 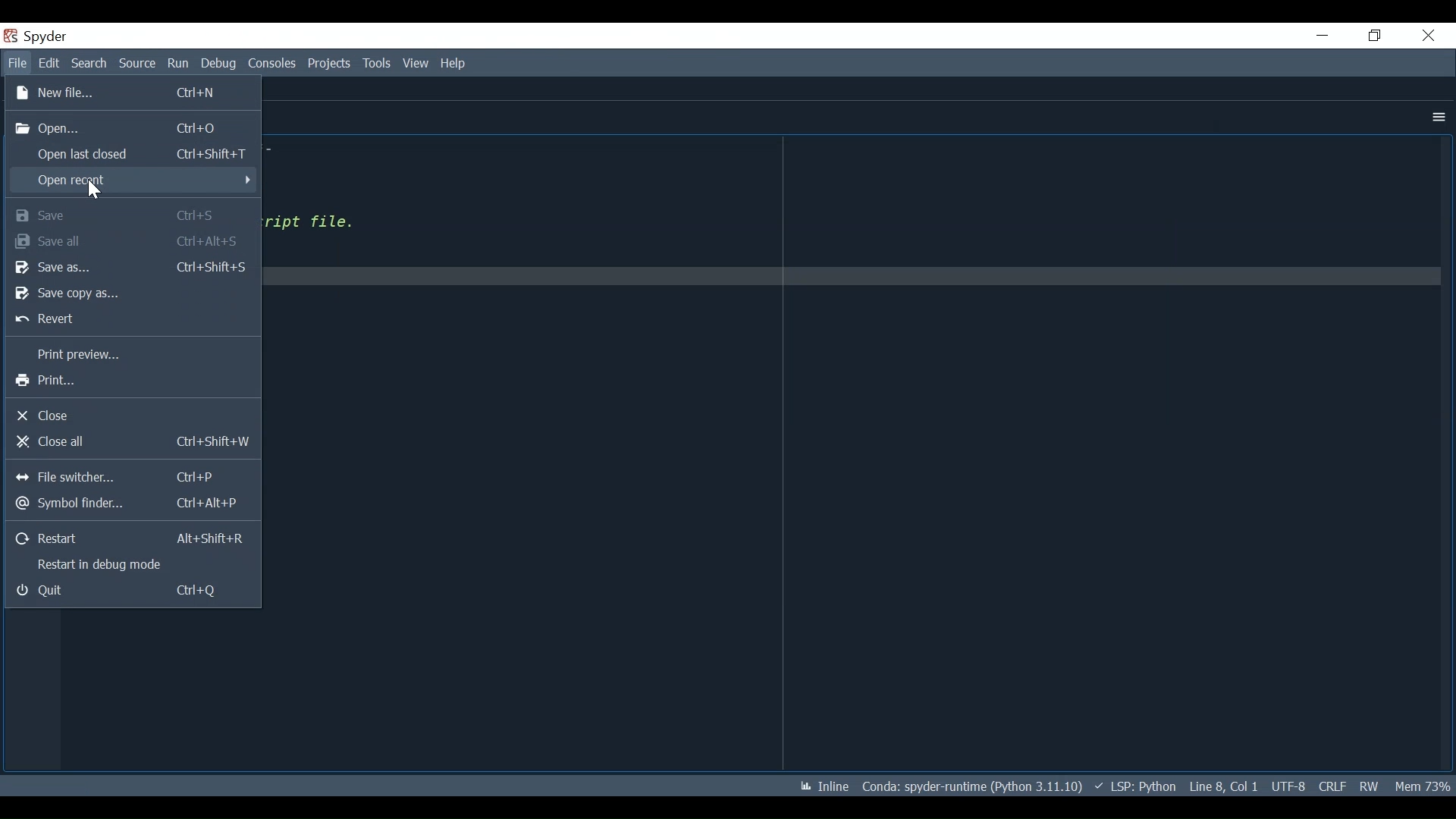 I want to click on Print, so click(x=130, y=382).